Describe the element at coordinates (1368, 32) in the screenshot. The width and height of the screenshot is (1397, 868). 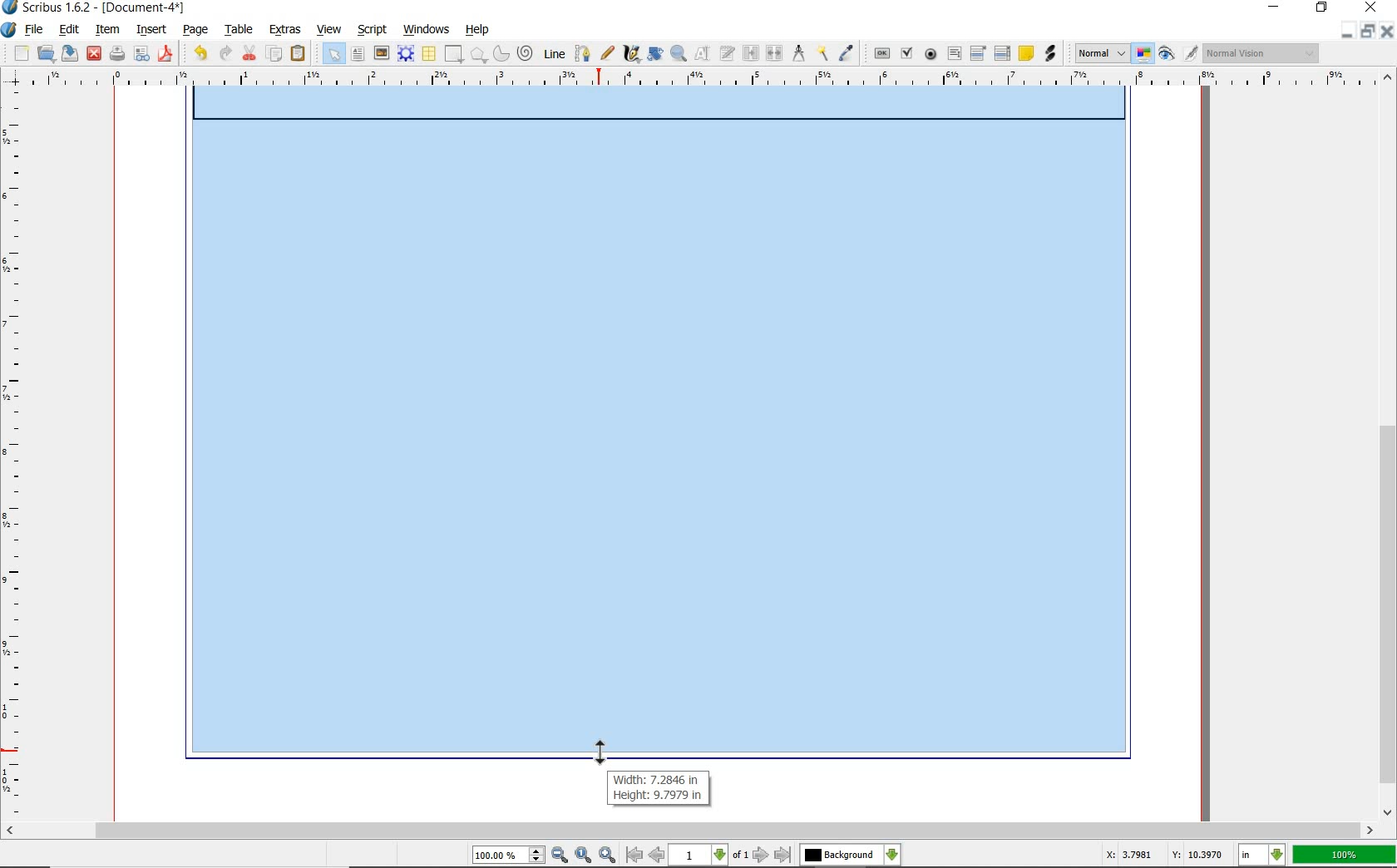
I see `restore` at that location.